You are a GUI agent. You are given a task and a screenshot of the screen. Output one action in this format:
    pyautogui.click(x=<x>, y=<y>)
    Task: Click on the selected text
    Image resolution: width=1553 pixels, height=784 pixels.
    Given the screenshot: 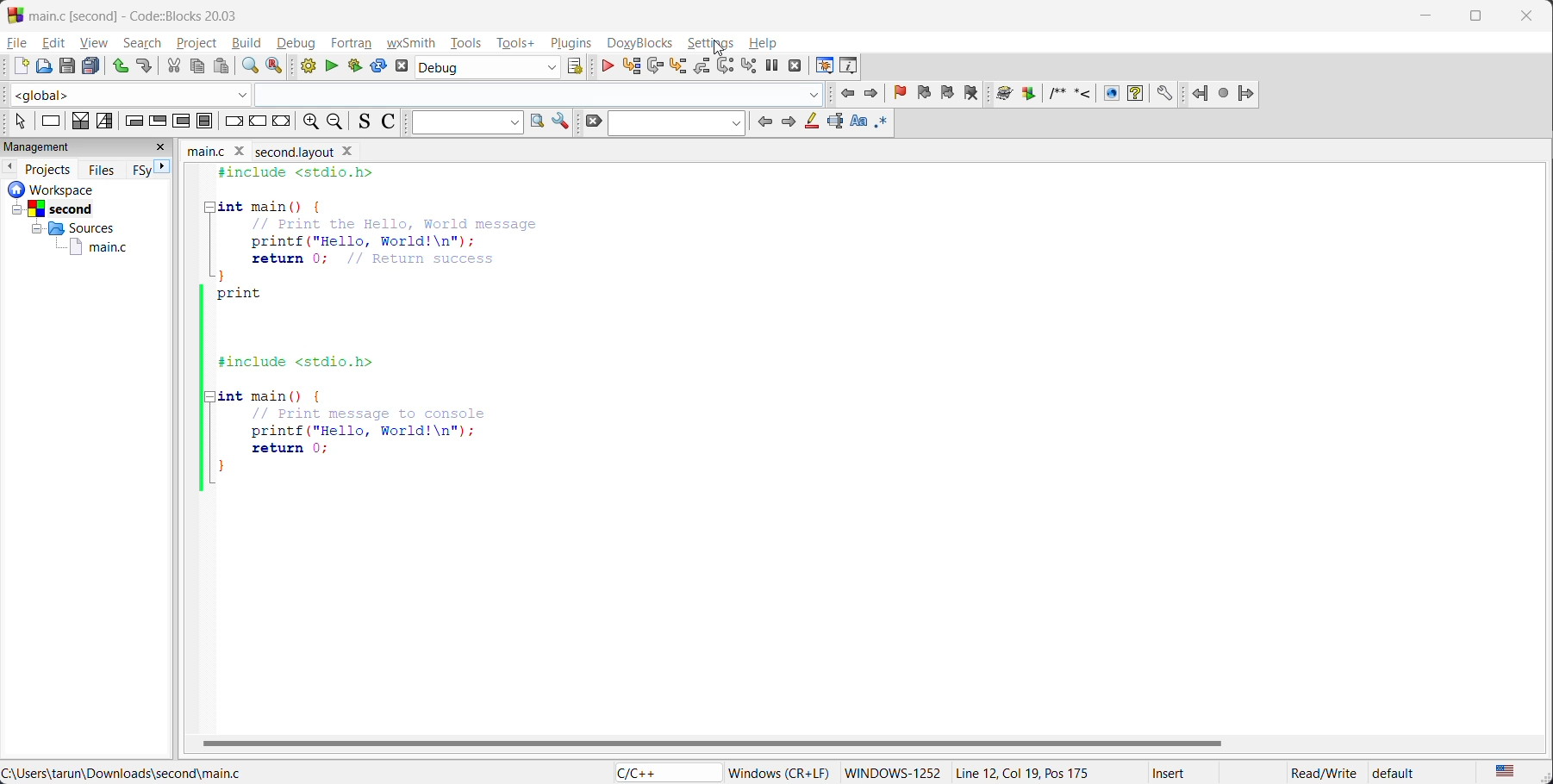 What is the action you would take?
    pyautogui.click(x=835, y=124)
    